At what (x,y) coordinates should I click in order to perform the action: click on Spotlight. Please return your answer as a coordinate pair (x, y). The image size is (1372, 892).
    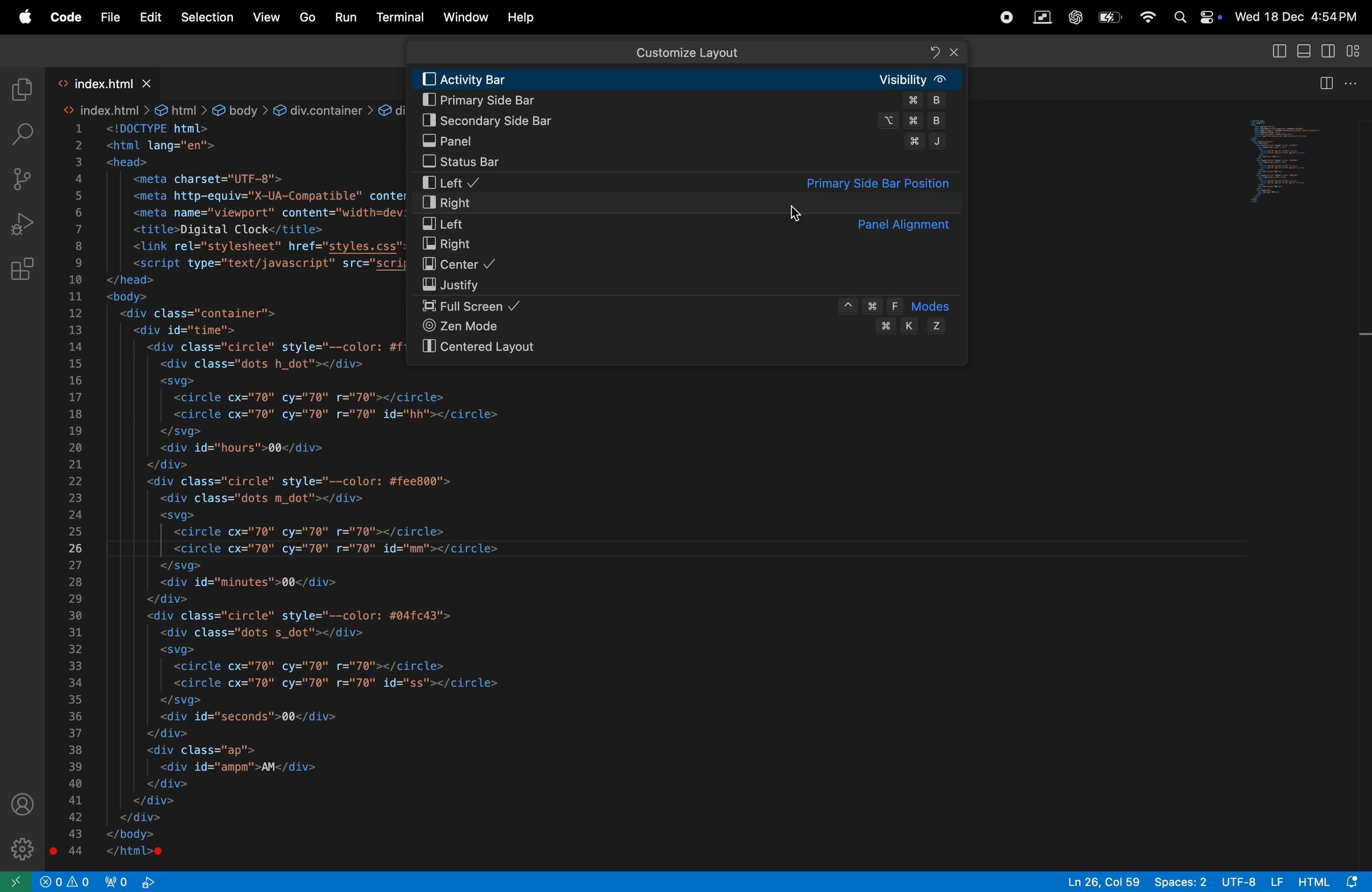
    Looking at the image, I should click on (1175, 18).